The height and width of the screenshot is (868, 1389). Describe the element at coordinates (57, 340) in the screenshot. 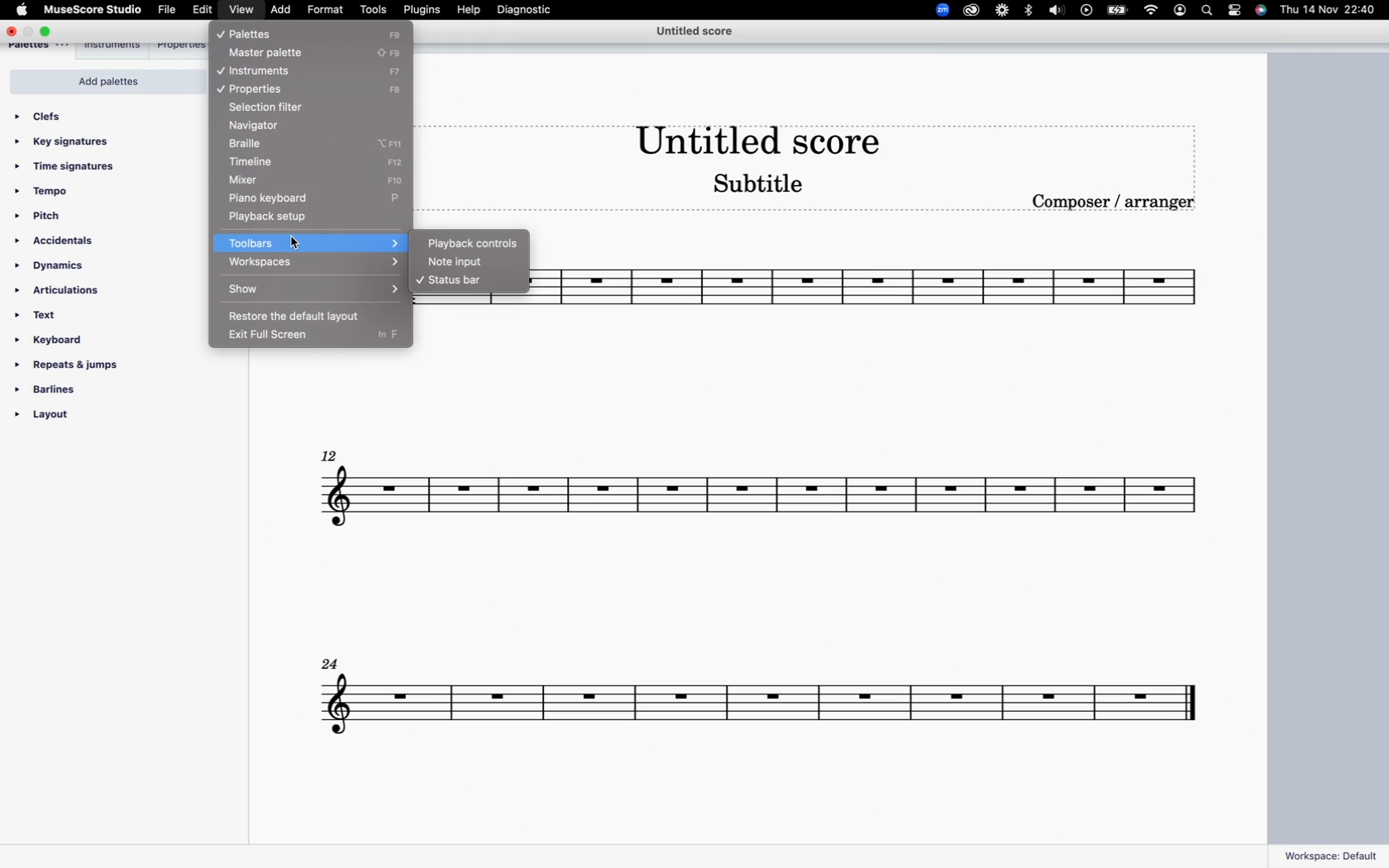

I see `keyboard` at that location.